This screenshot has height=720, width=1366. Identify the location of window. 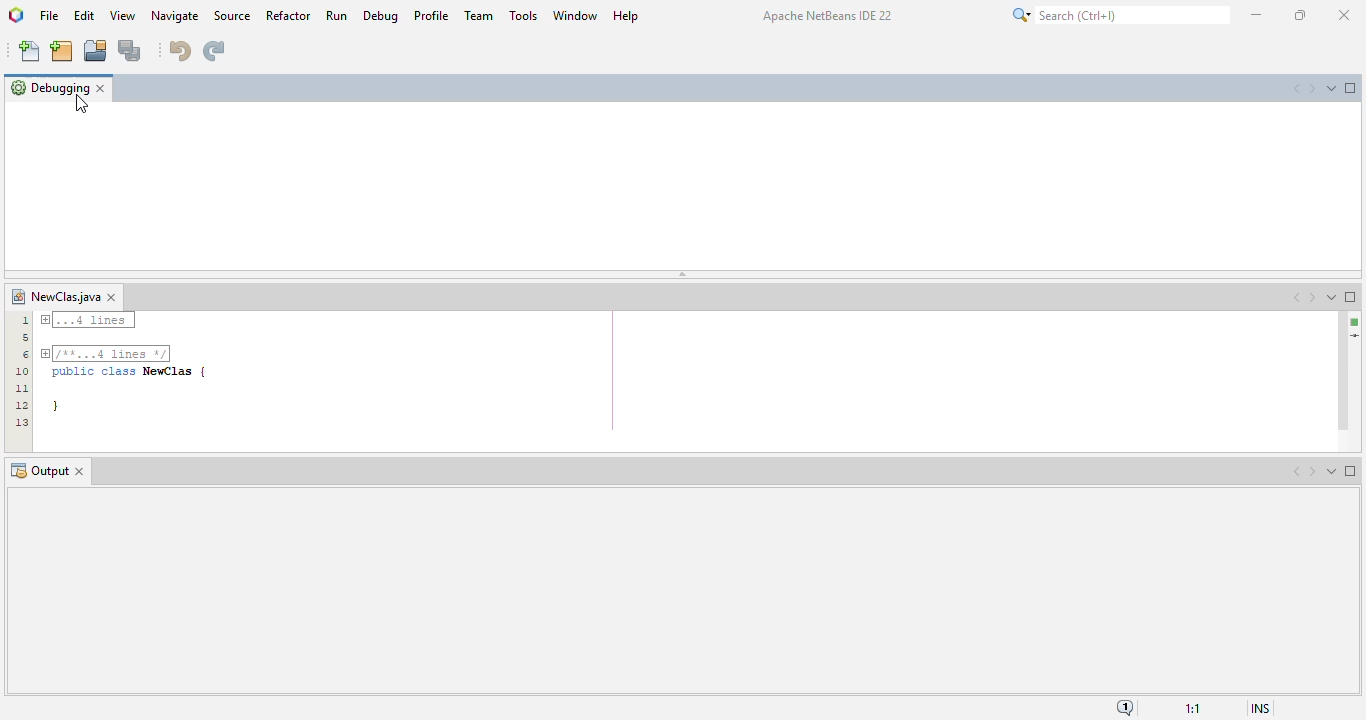
(575, 14).